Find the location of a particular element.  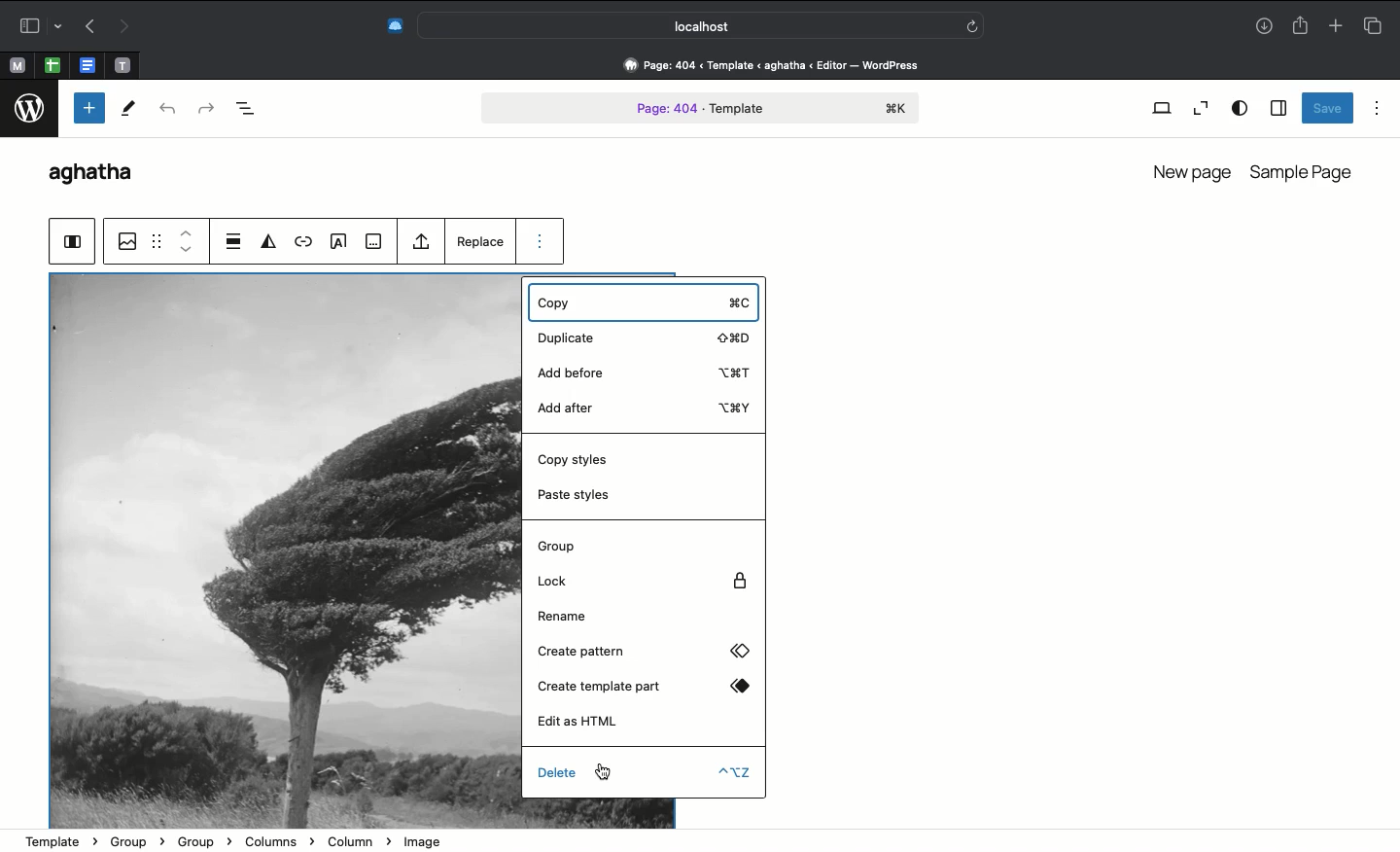

Add new tab is located at coordinates (1335, 22).